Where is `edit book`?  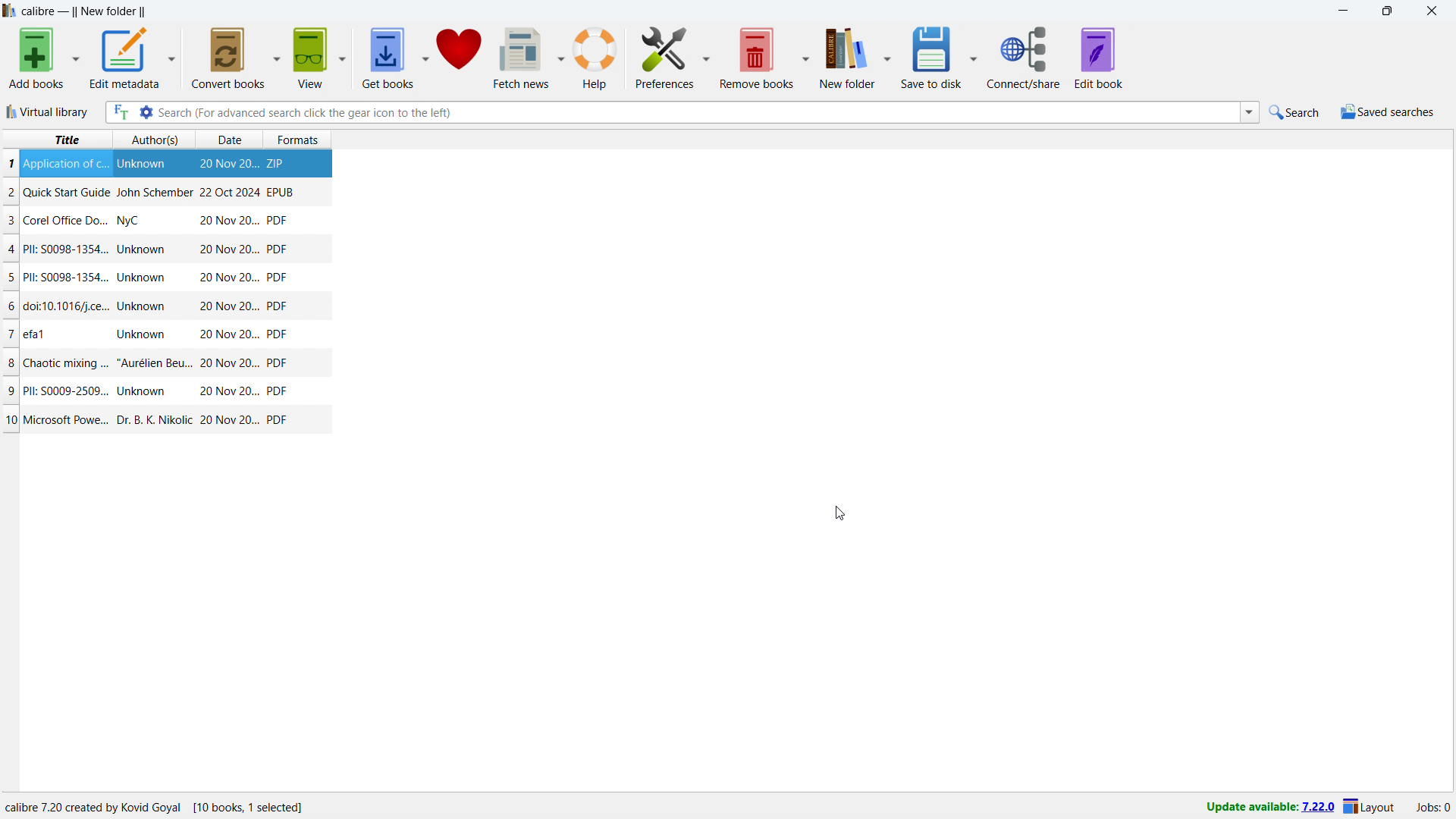 edit book is located at coordinates (1116, 58).